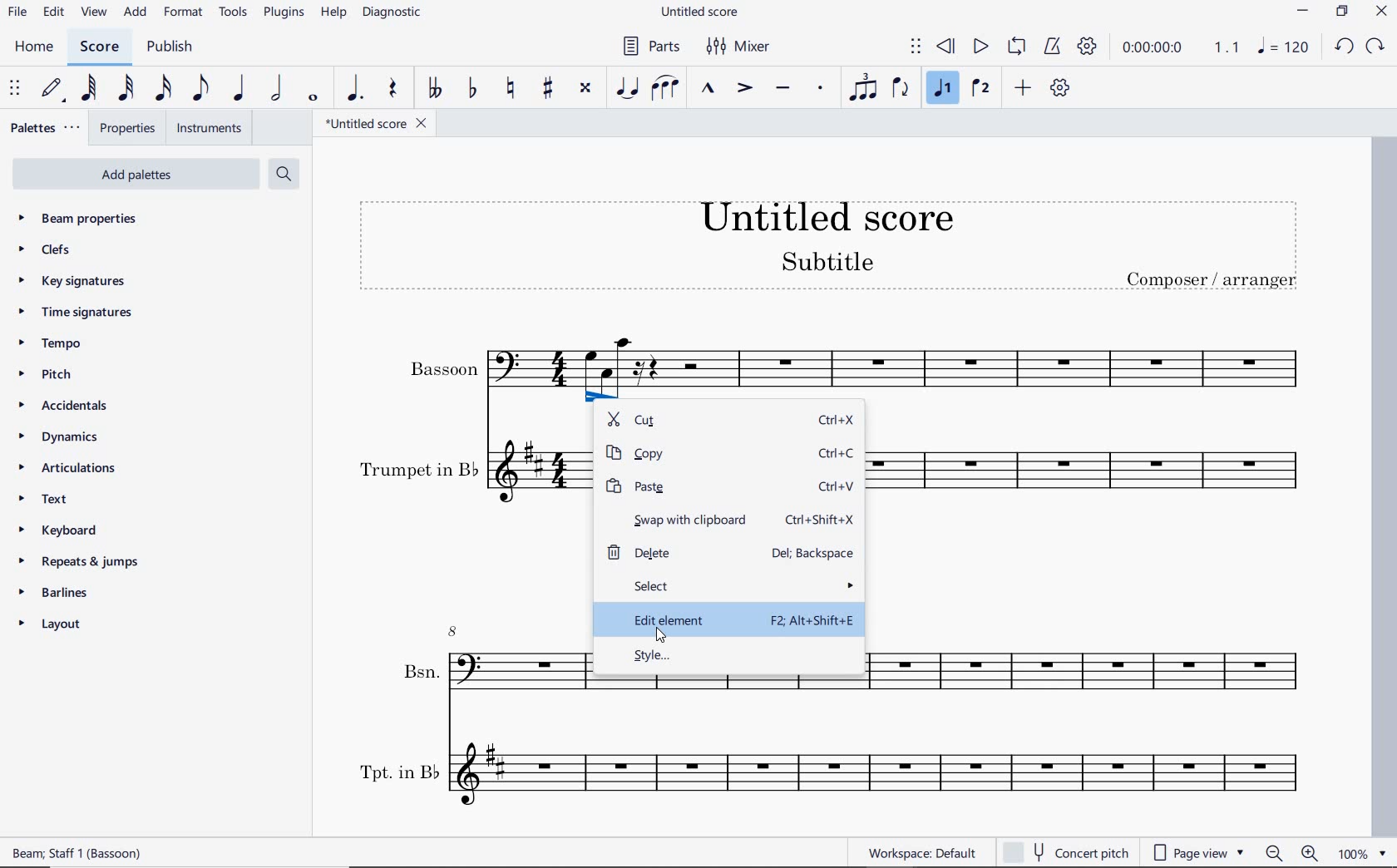 The image size is (1397, 868). What do you see at coordinates (653, 47) in the screenshot?
I see `parts` at bounding box center [653, 47].